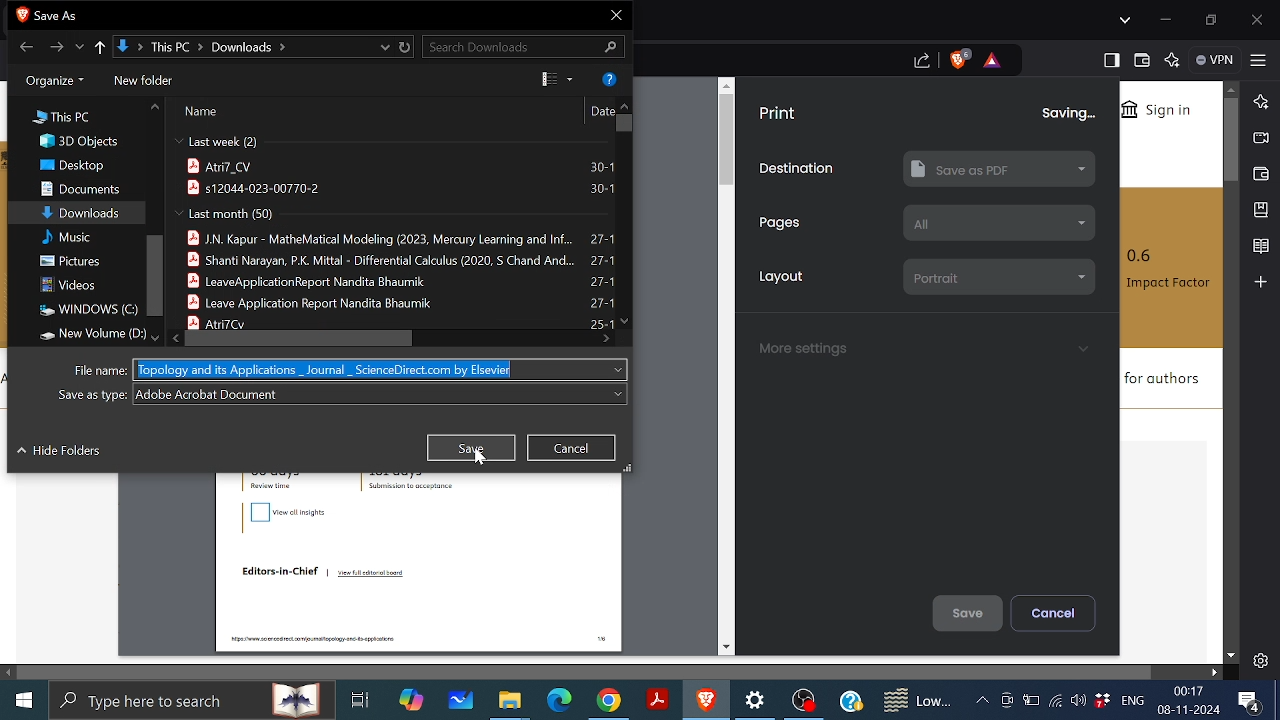  Describe the element at coordinates (779, 114) in the screenshot. I see `Print` at that location.